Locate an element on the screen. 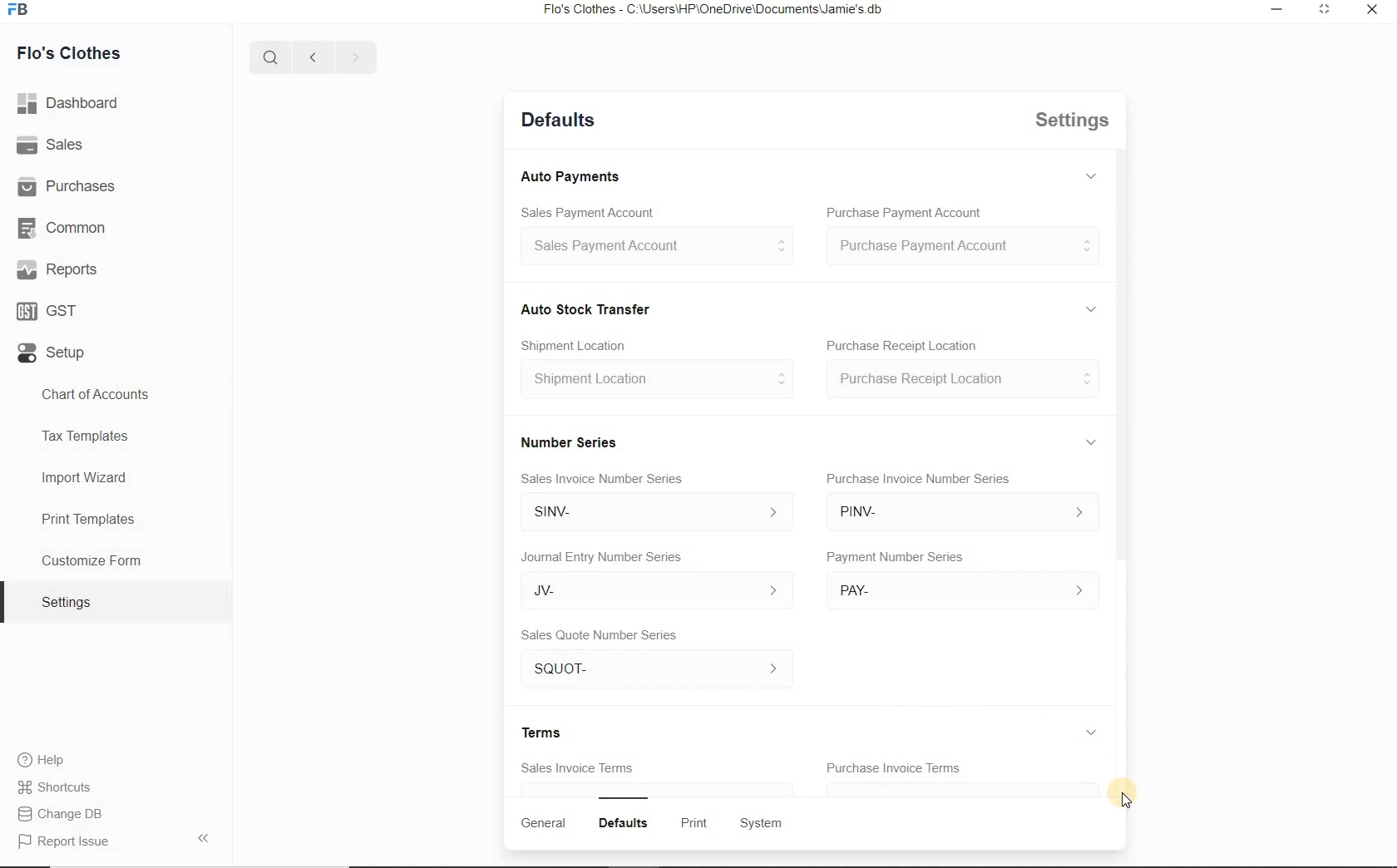  Shipment Location is located at coordinates (654, 379).